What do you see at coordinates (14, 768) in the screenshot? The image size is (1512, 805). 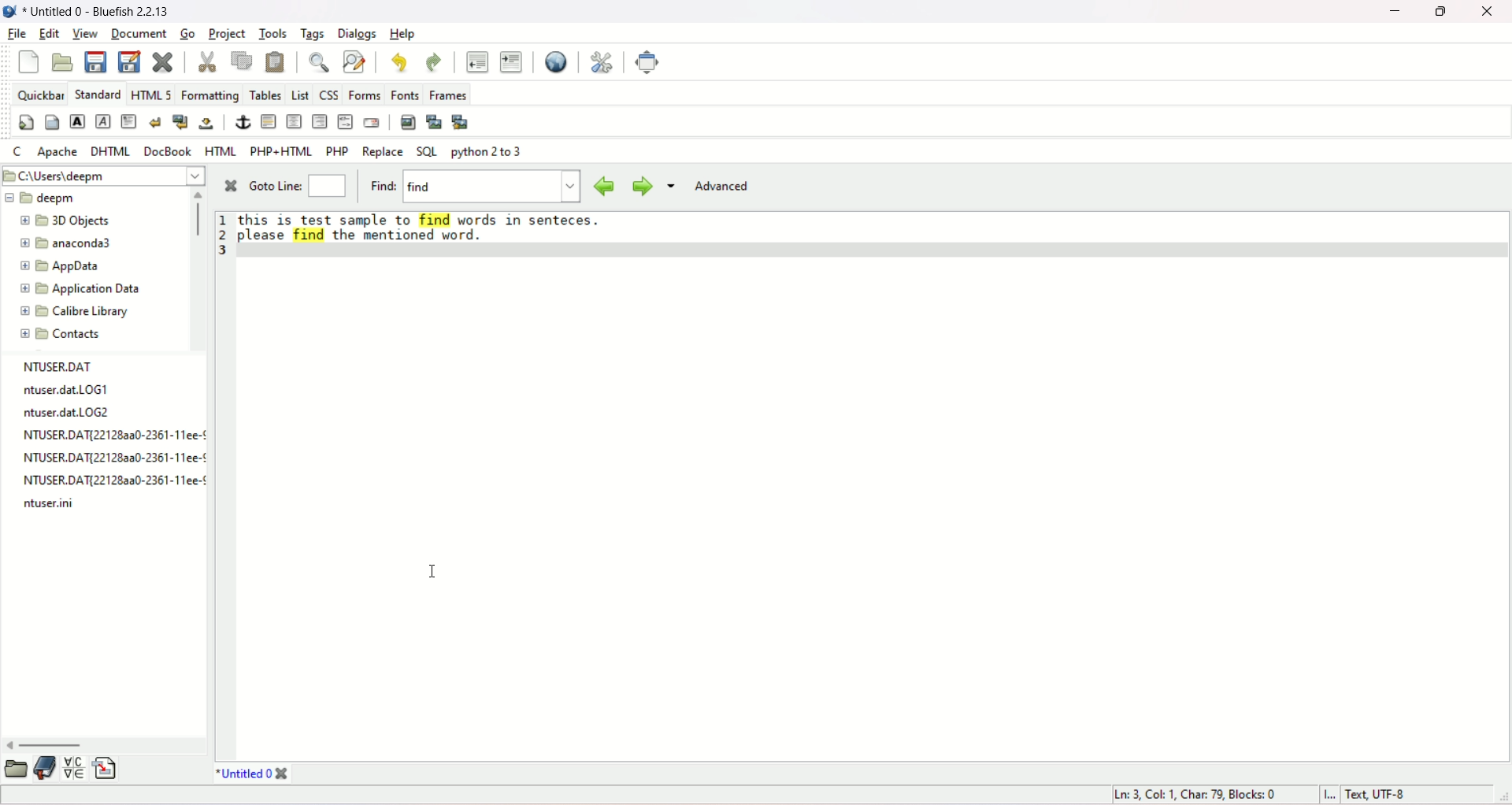 I see `open folder` at bounding box center [14, 768].